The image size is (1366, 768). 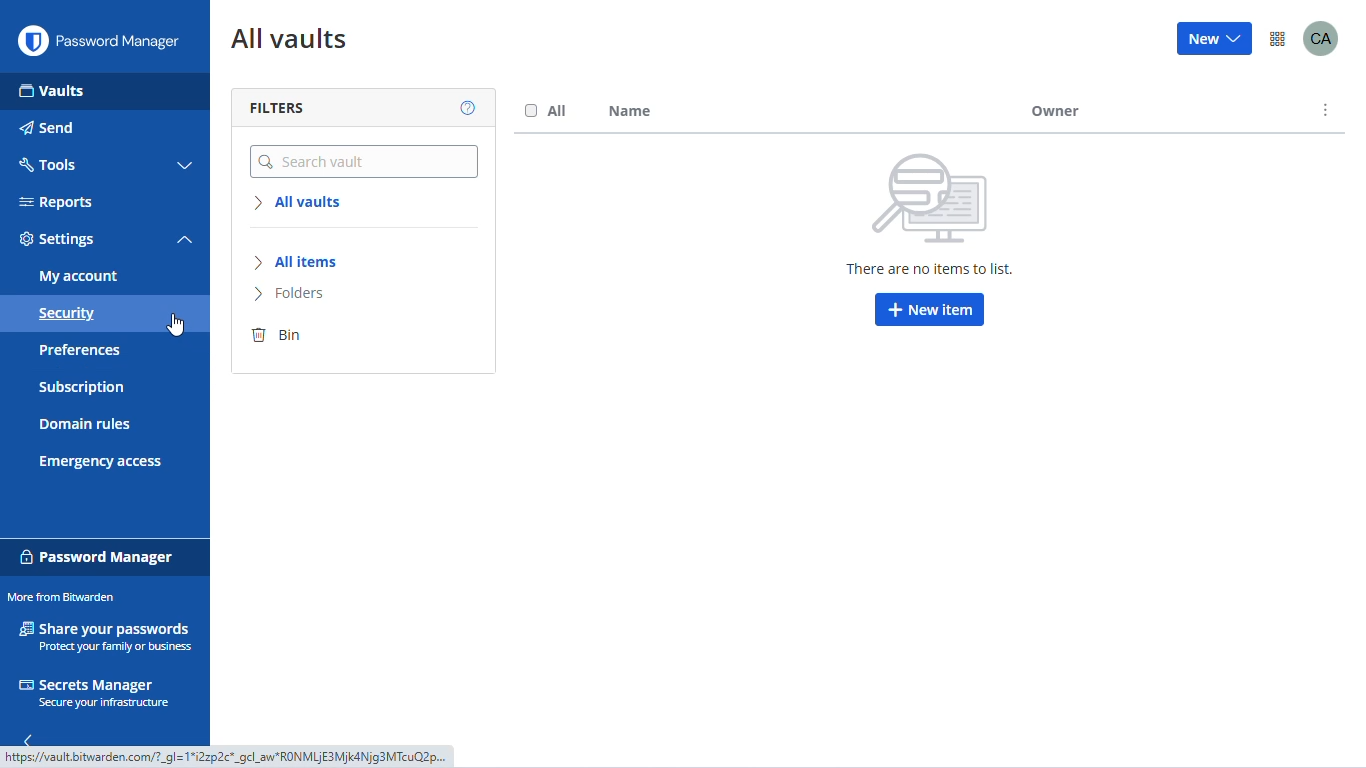 What do you see at coordinates (56, 202) in the screenshot?
I see `reports` at bounding box center [56, 202].